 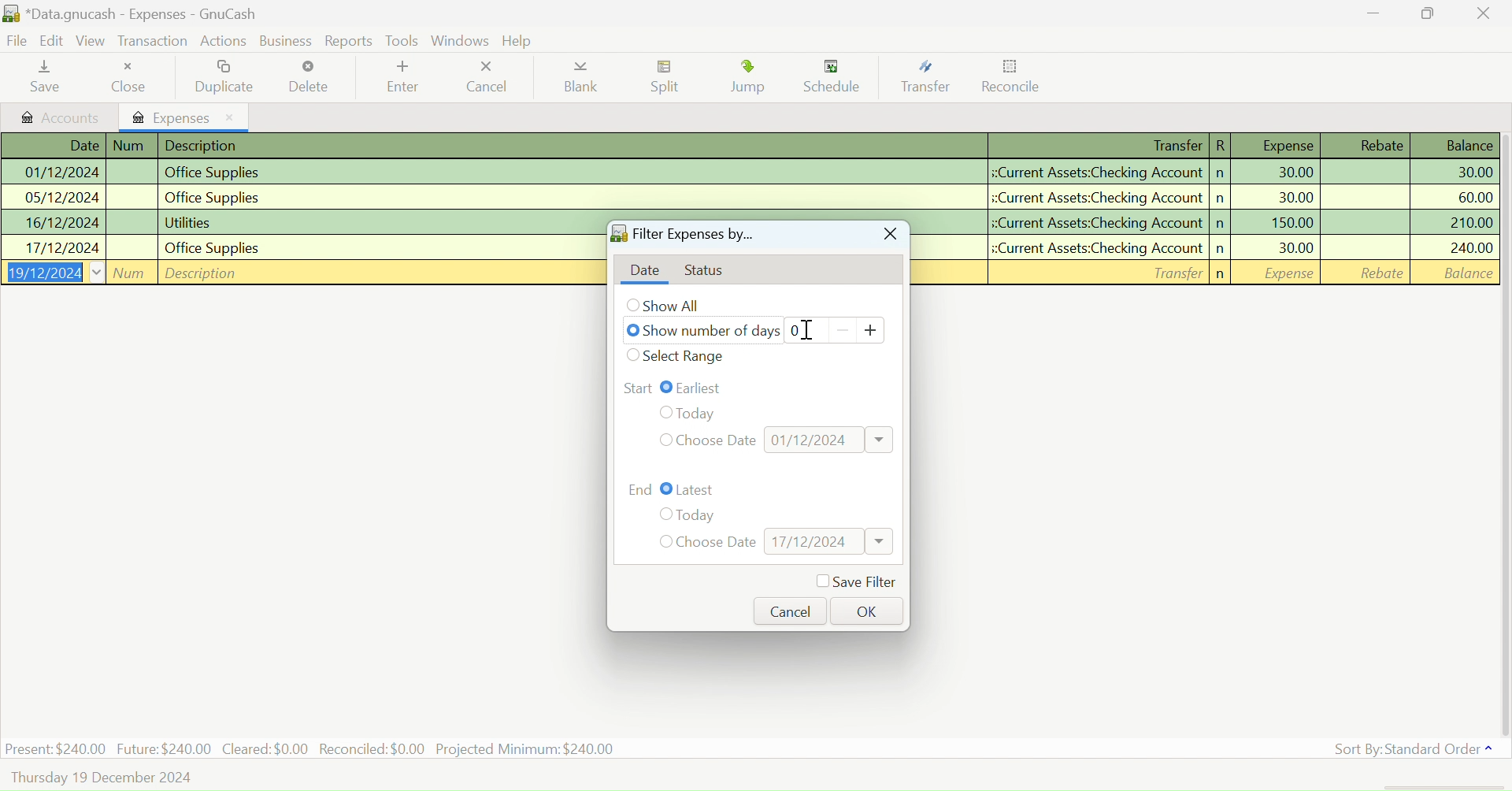 What do you see at coordinates (1214, 272) in the screenshot?
I see `New Entry Field` at bounding box center [1214, 272].